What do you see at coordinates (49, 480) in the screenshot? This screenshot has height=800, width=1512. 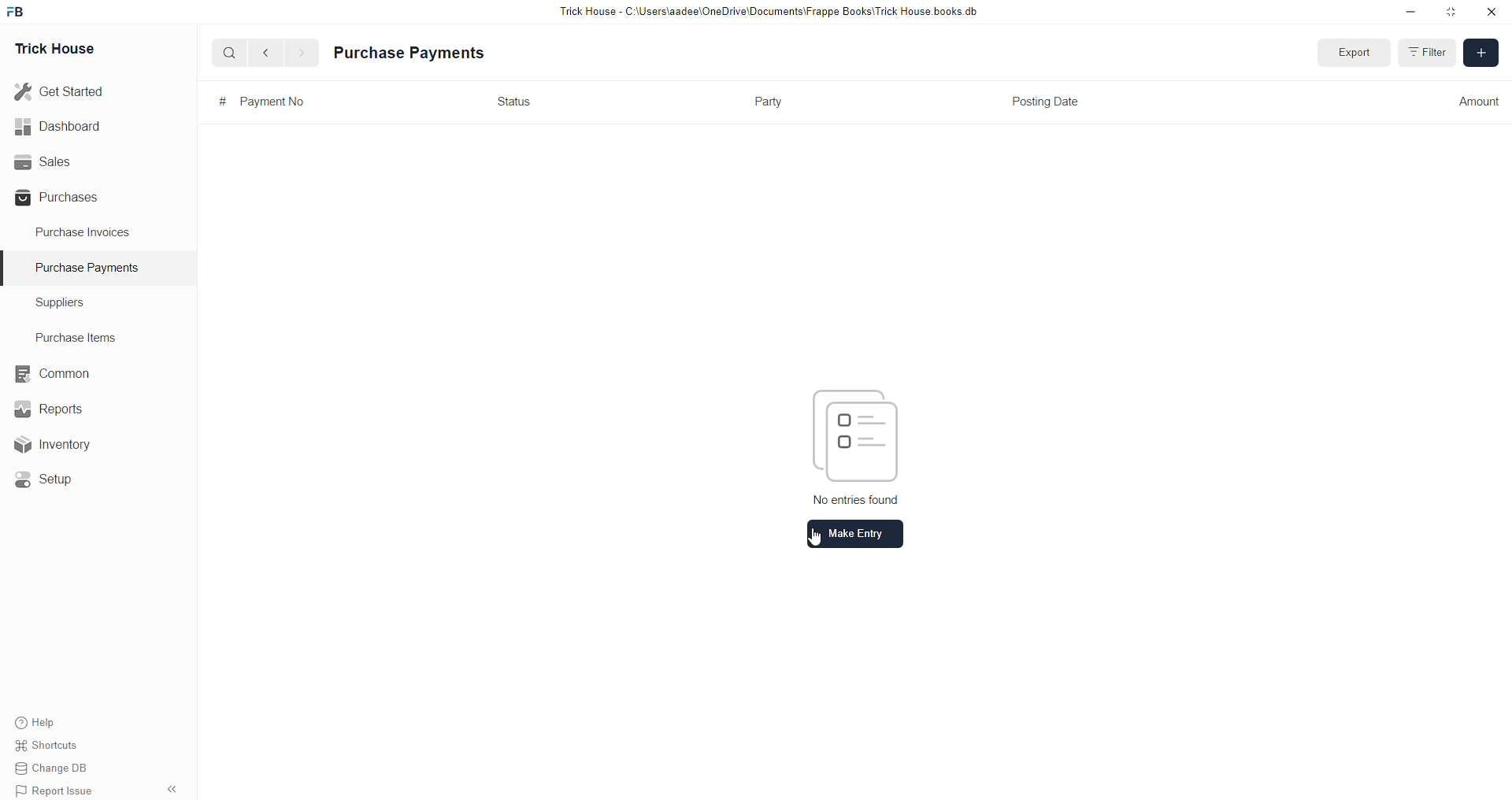 I see `«© Setup` at bounding box center [49, 480].